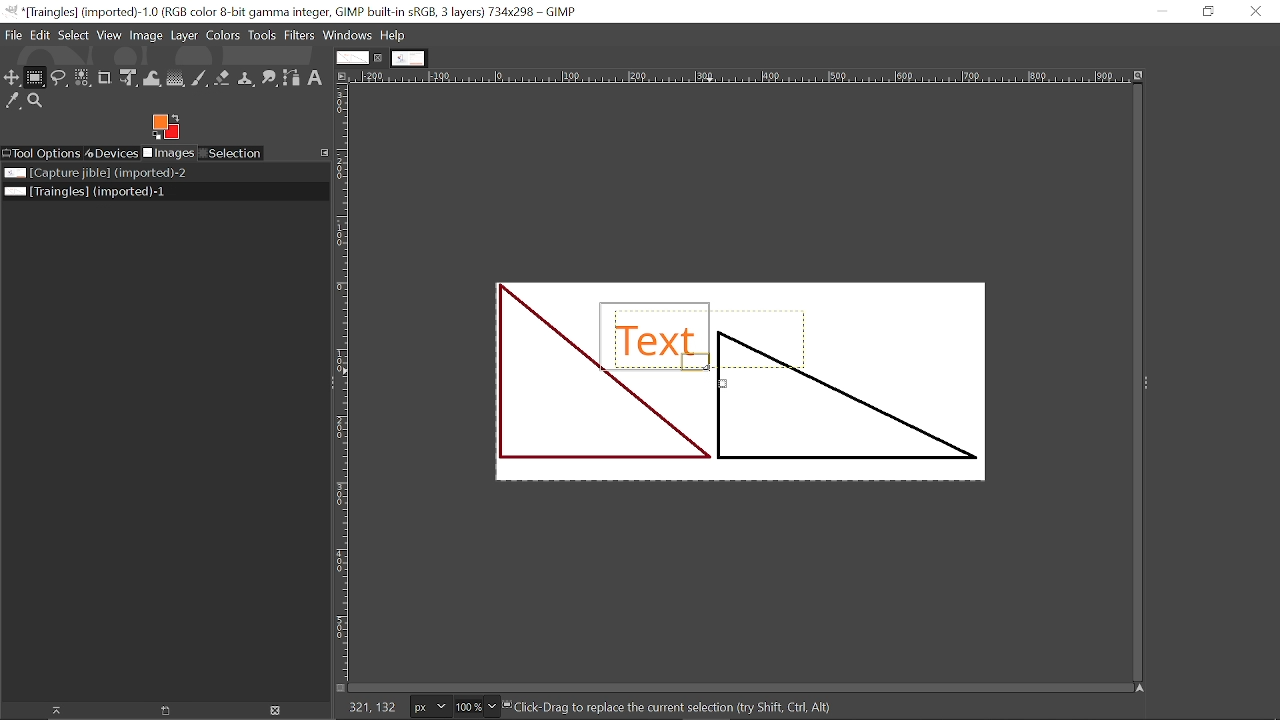 The image size is (1280, 720). Describe the element at coordinates (37, 100) in the screenshot. I see `Zoom tool` at that location.